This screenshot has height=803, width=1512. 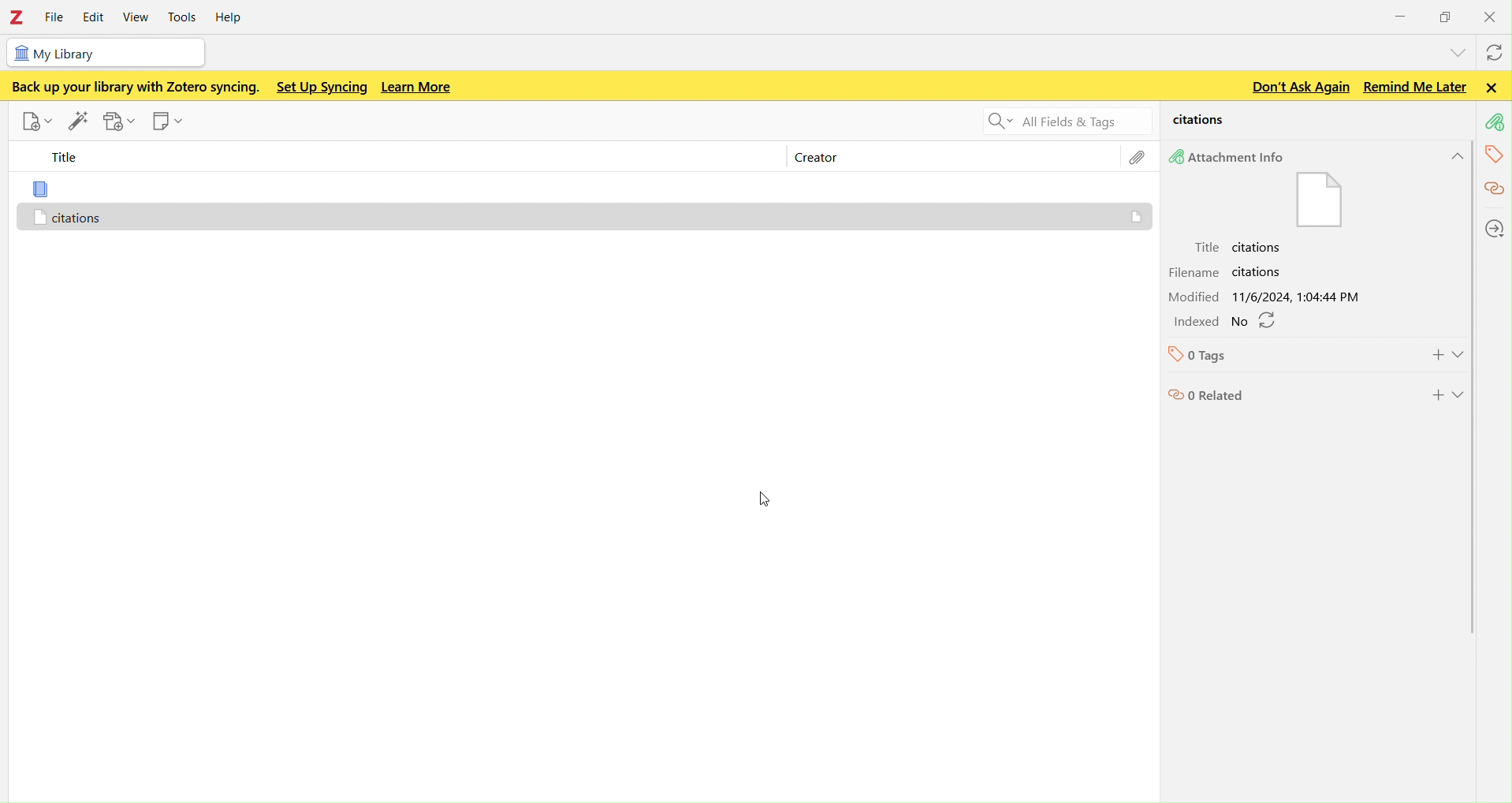 I want to click on 0 Tags, so click(x=1201, y=357).